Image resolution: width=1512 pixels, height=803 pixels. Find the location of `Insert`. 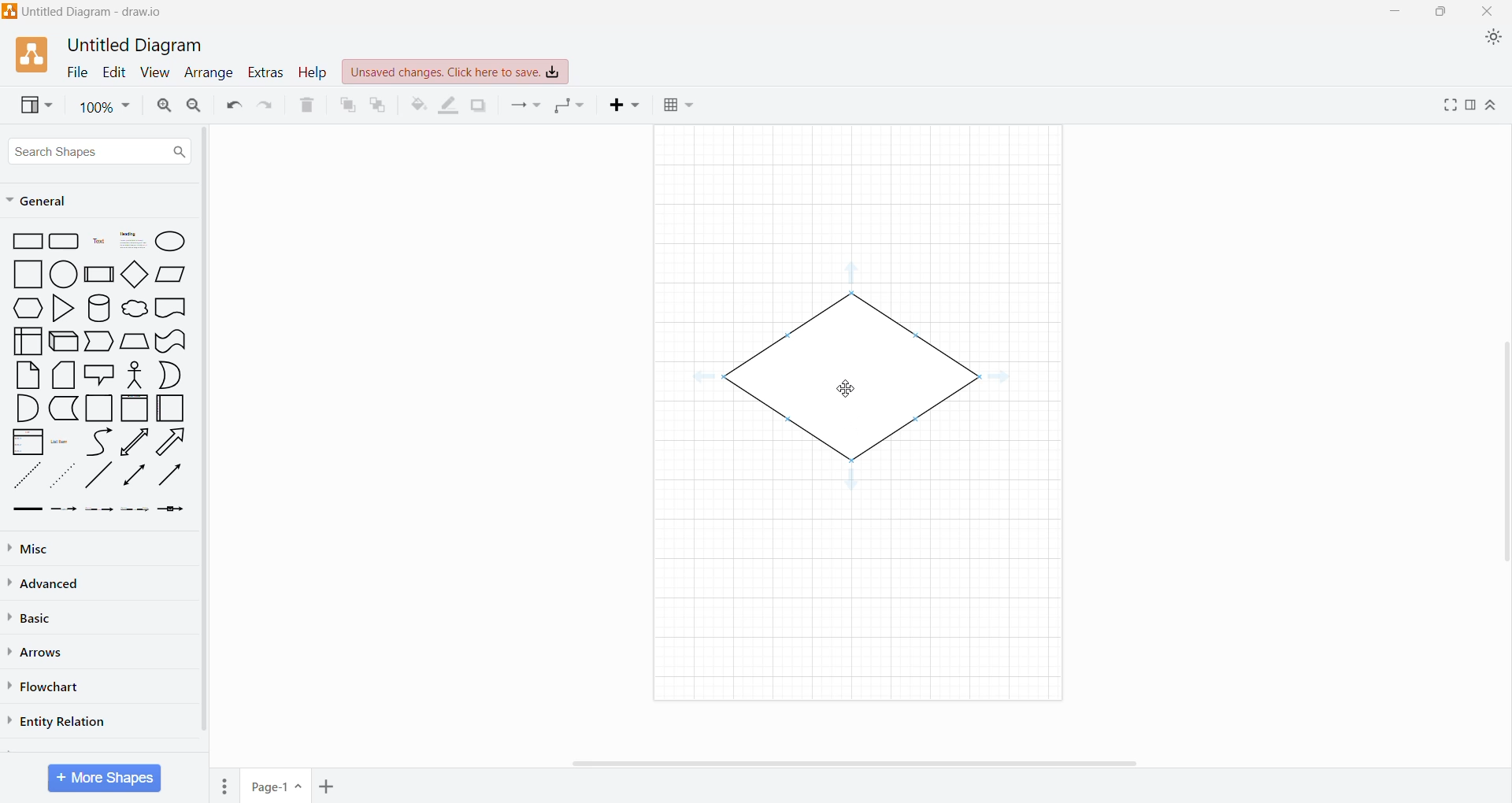

Insert is located at coordinates (623, 105).